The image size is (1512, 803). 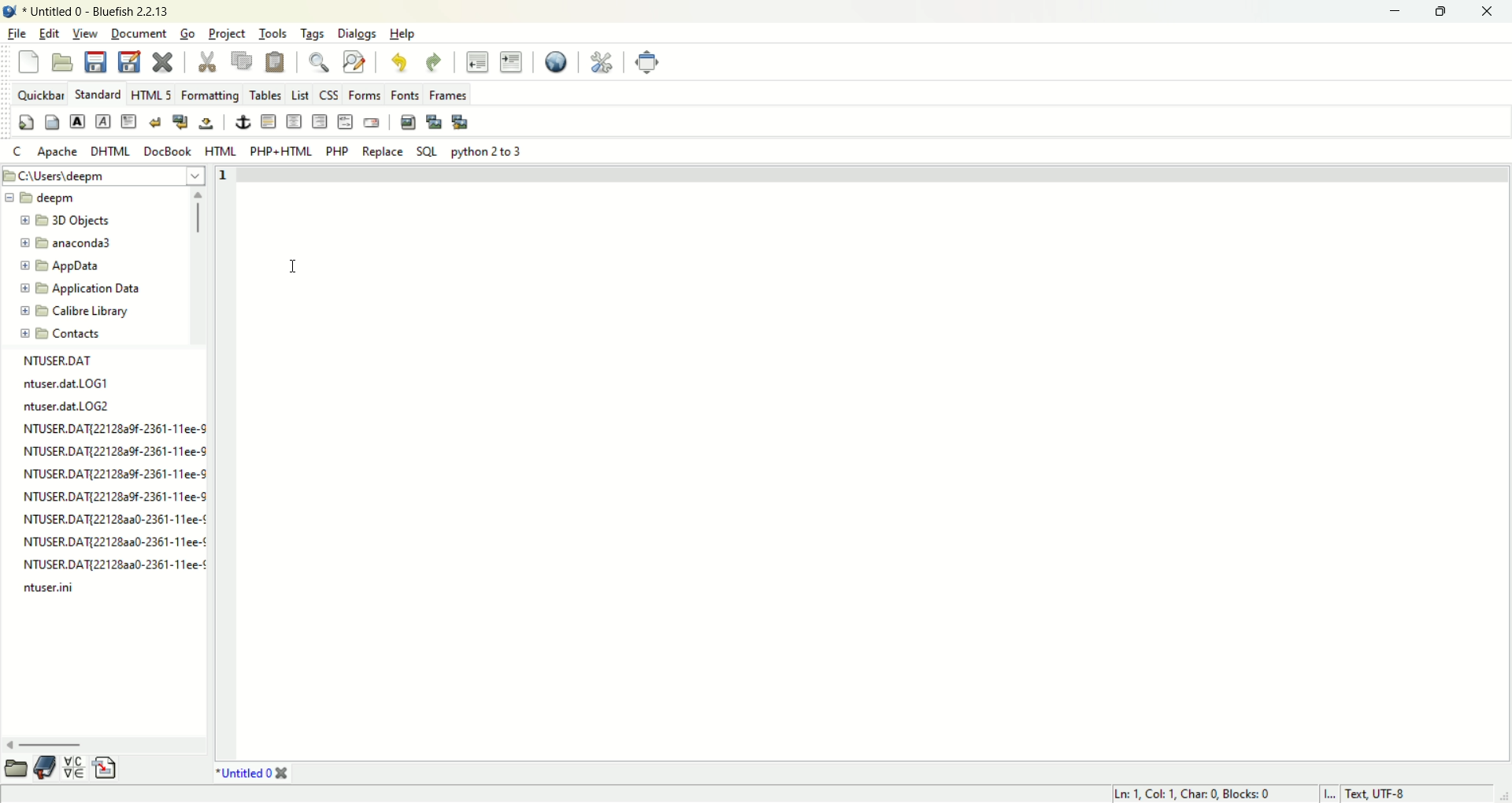 What do you see at coordinates (130, 61) in the screenshot?
I see `save as` at bounding box center [130, 61].